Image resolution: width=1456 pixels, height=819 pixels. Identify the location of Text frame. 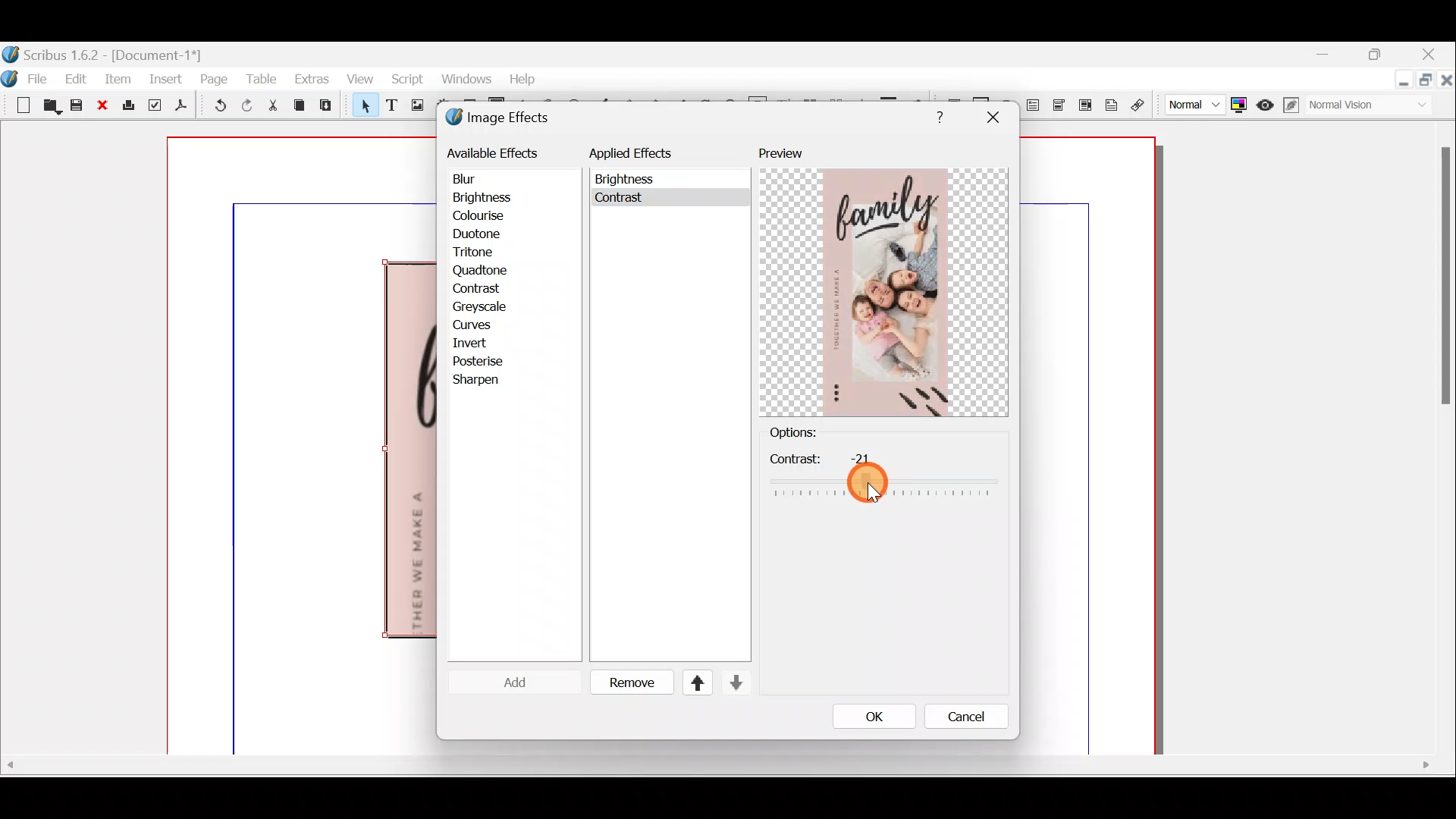
(391, 106).